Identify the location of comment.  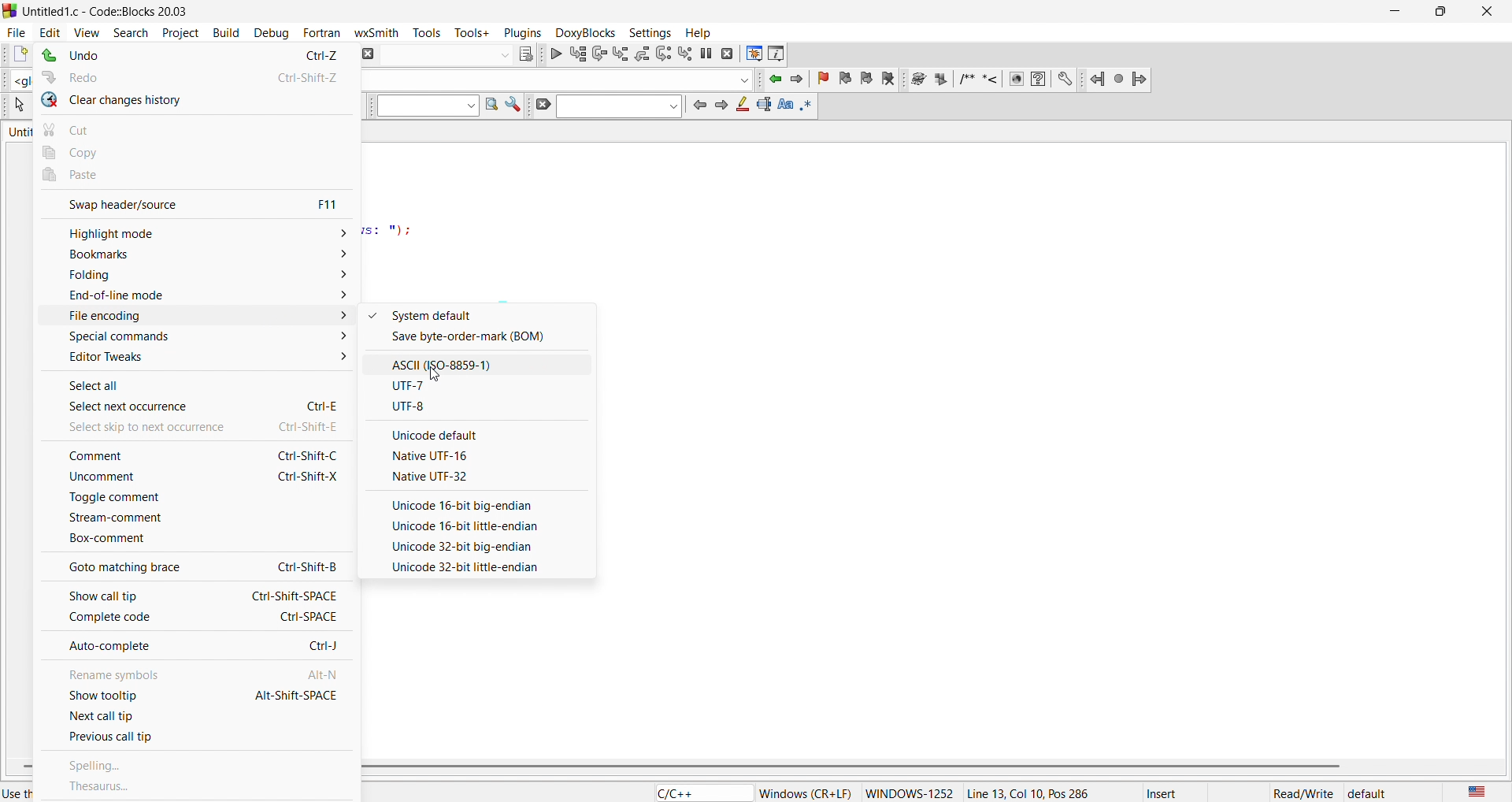
(188, 454).